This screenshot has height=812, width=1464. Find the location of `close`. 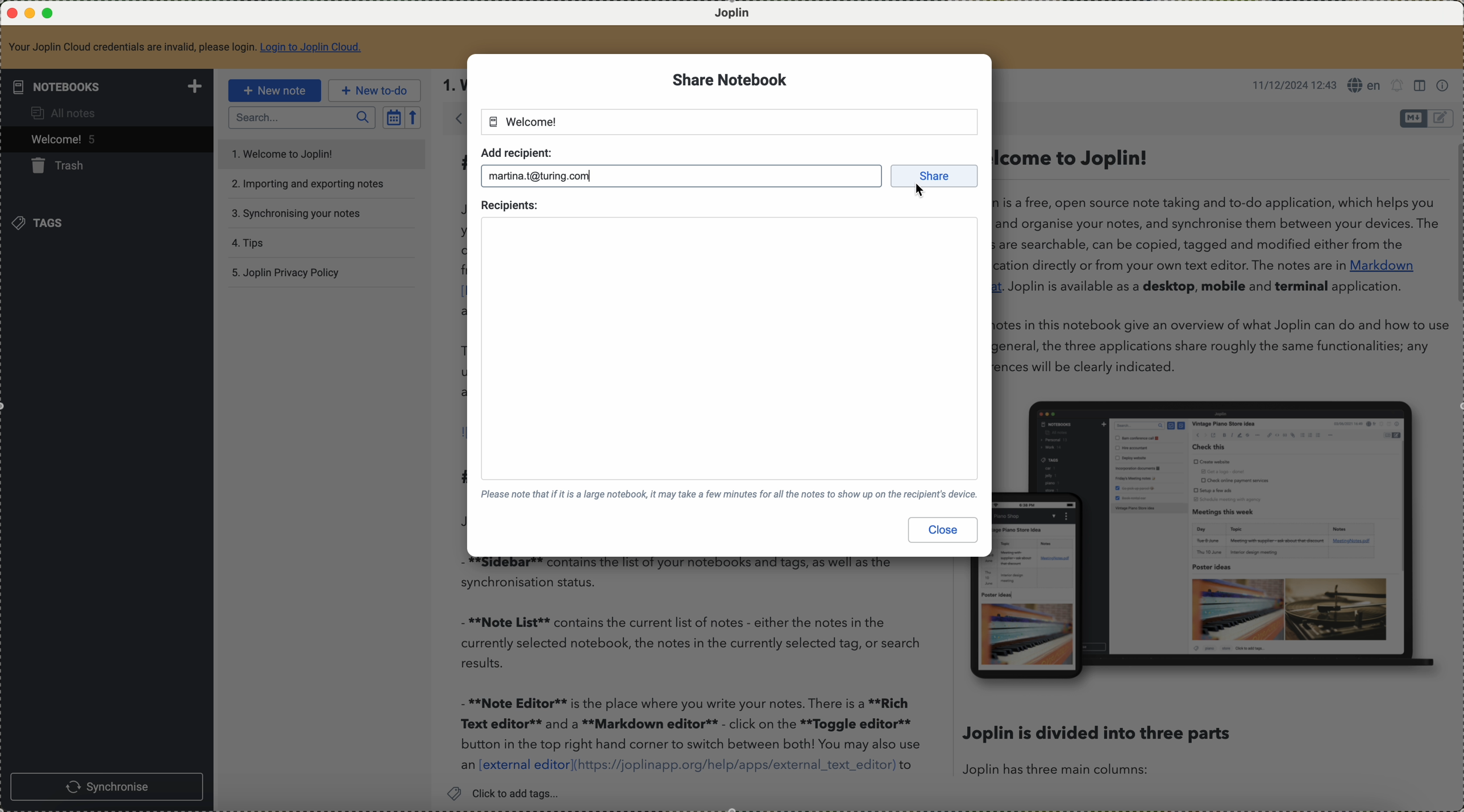

close is located at coordinates (944, 530).